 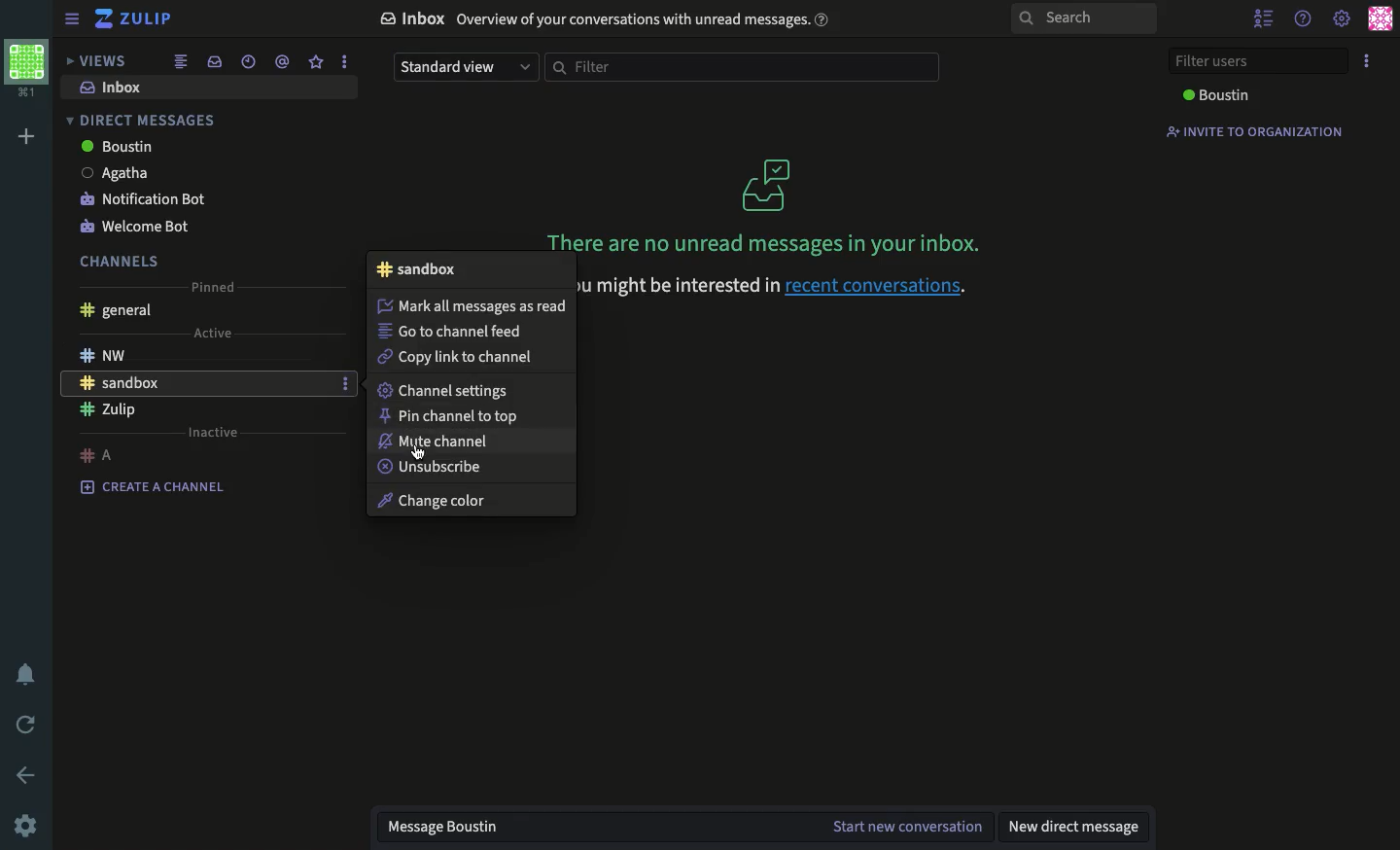 What do you see at coordinates (115, 87) in the screenshot?
I see `inbox` at bounding box center [115, 87].